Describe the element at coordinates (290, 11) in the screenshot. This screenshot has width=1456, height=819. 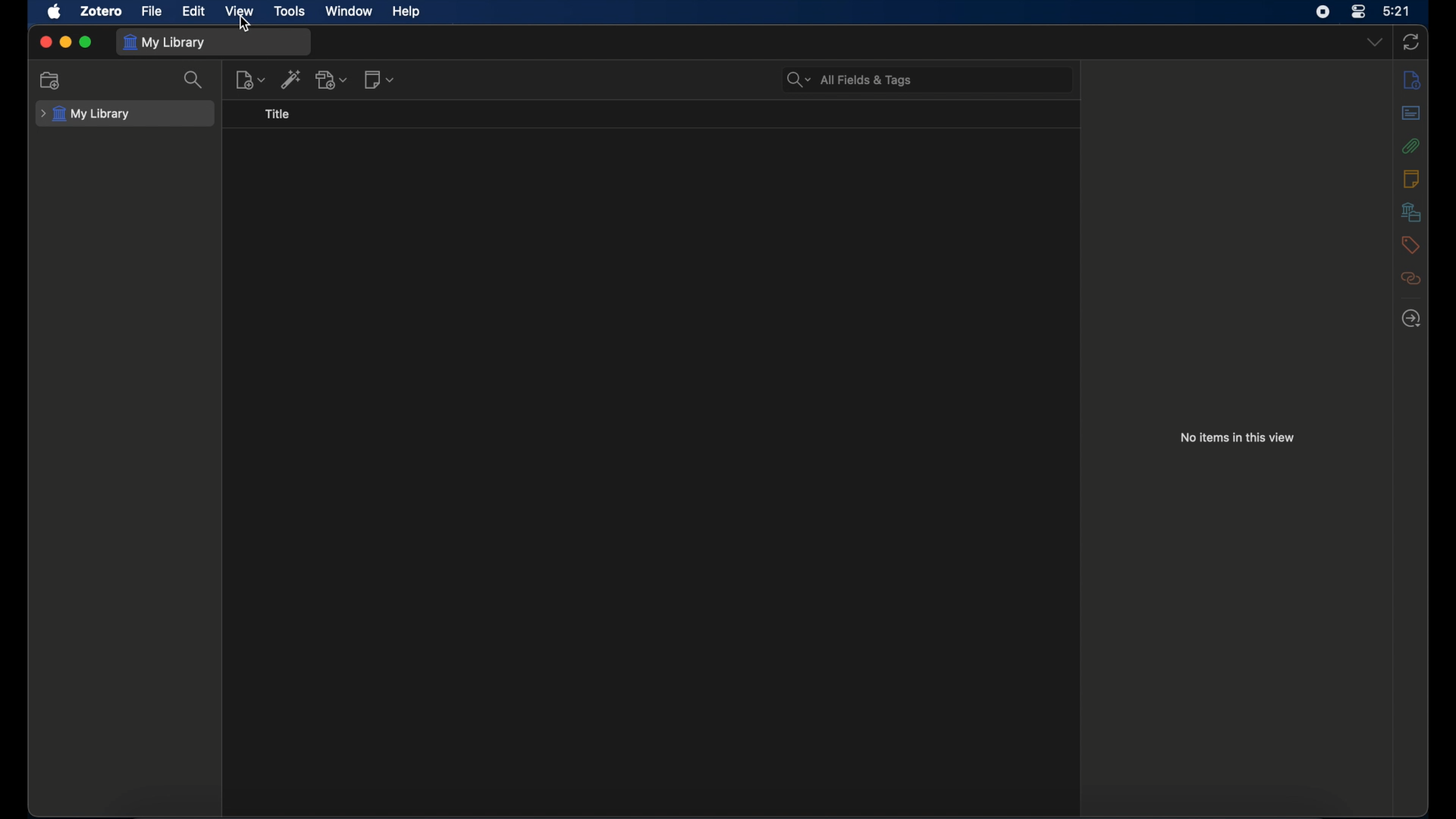
I see `tools` at that location.